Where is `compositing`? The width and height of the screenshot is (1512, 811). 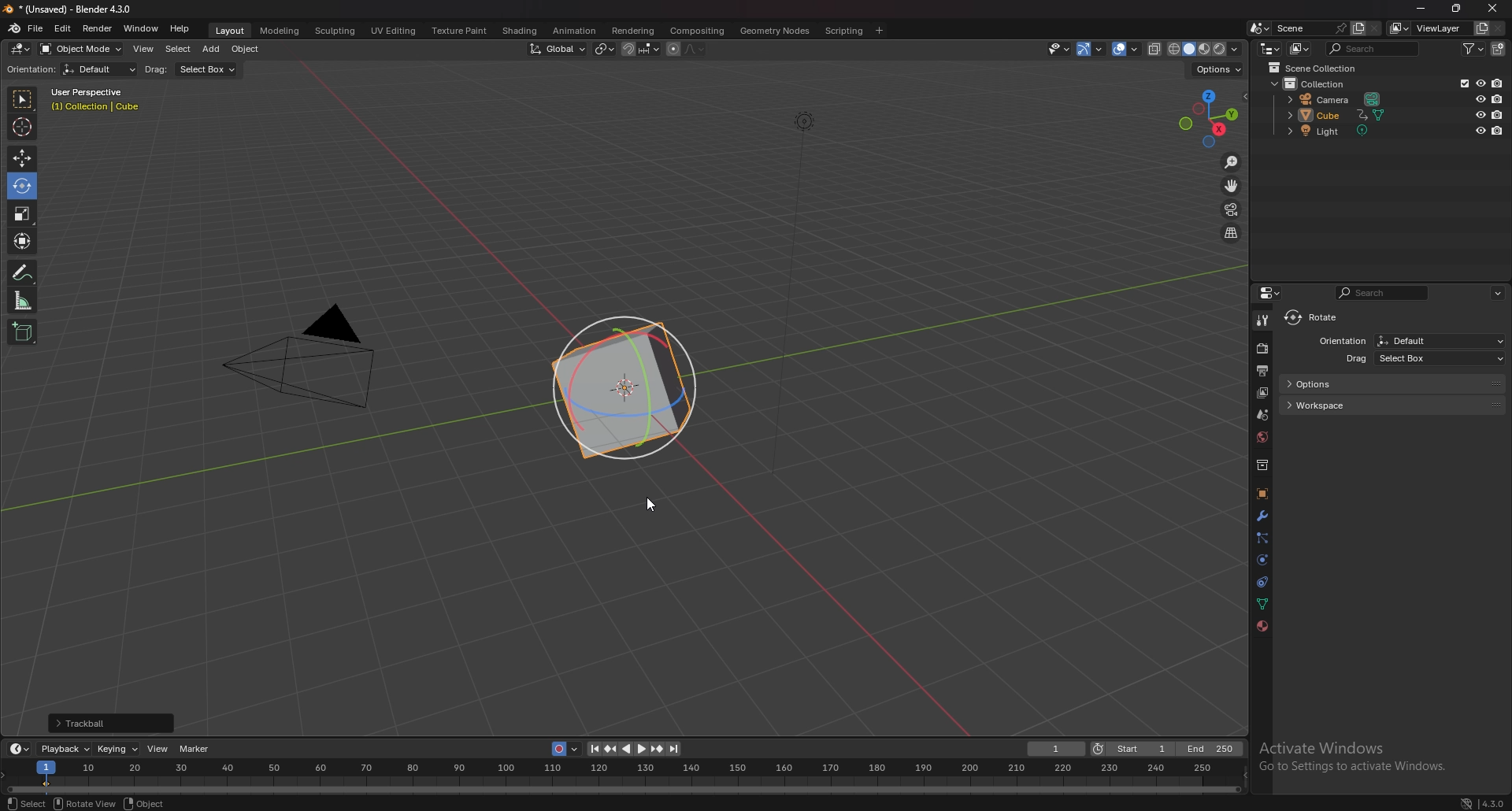
compositing is located at coordinates (699, 31).